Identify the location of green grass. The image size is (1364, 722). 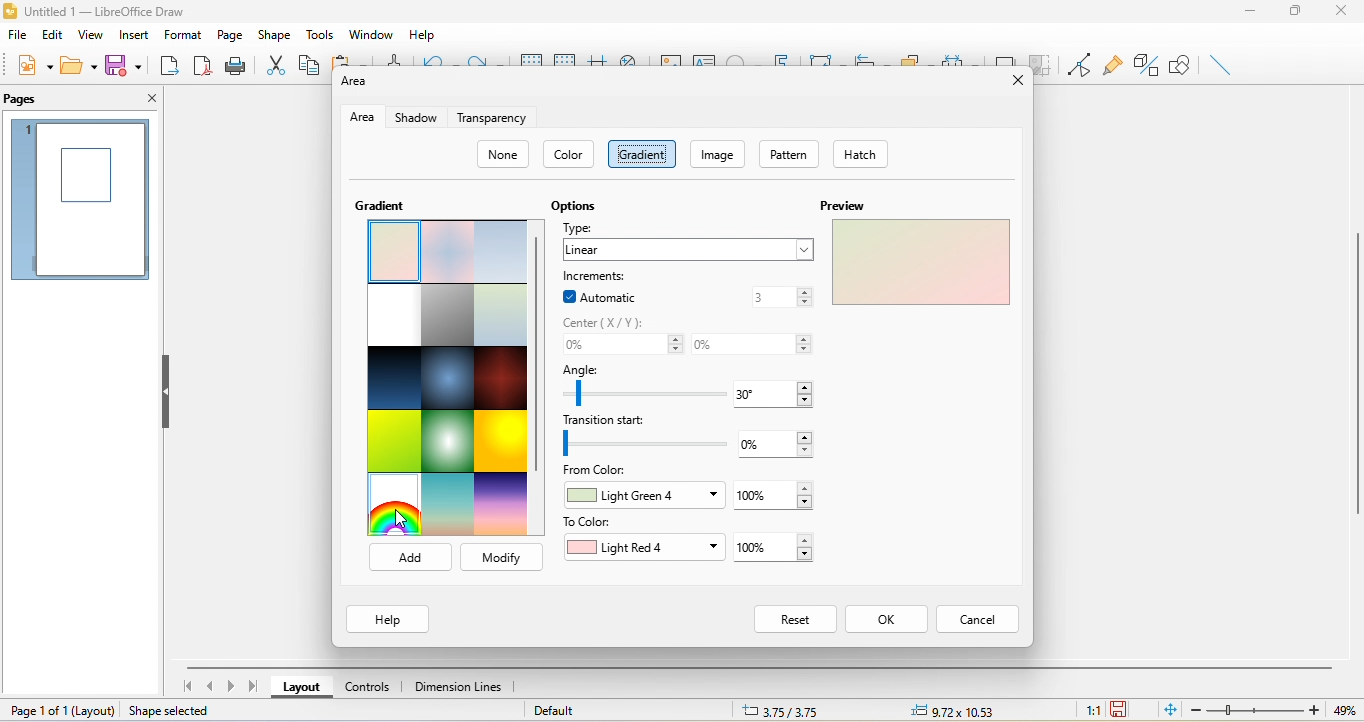
(392, 442).